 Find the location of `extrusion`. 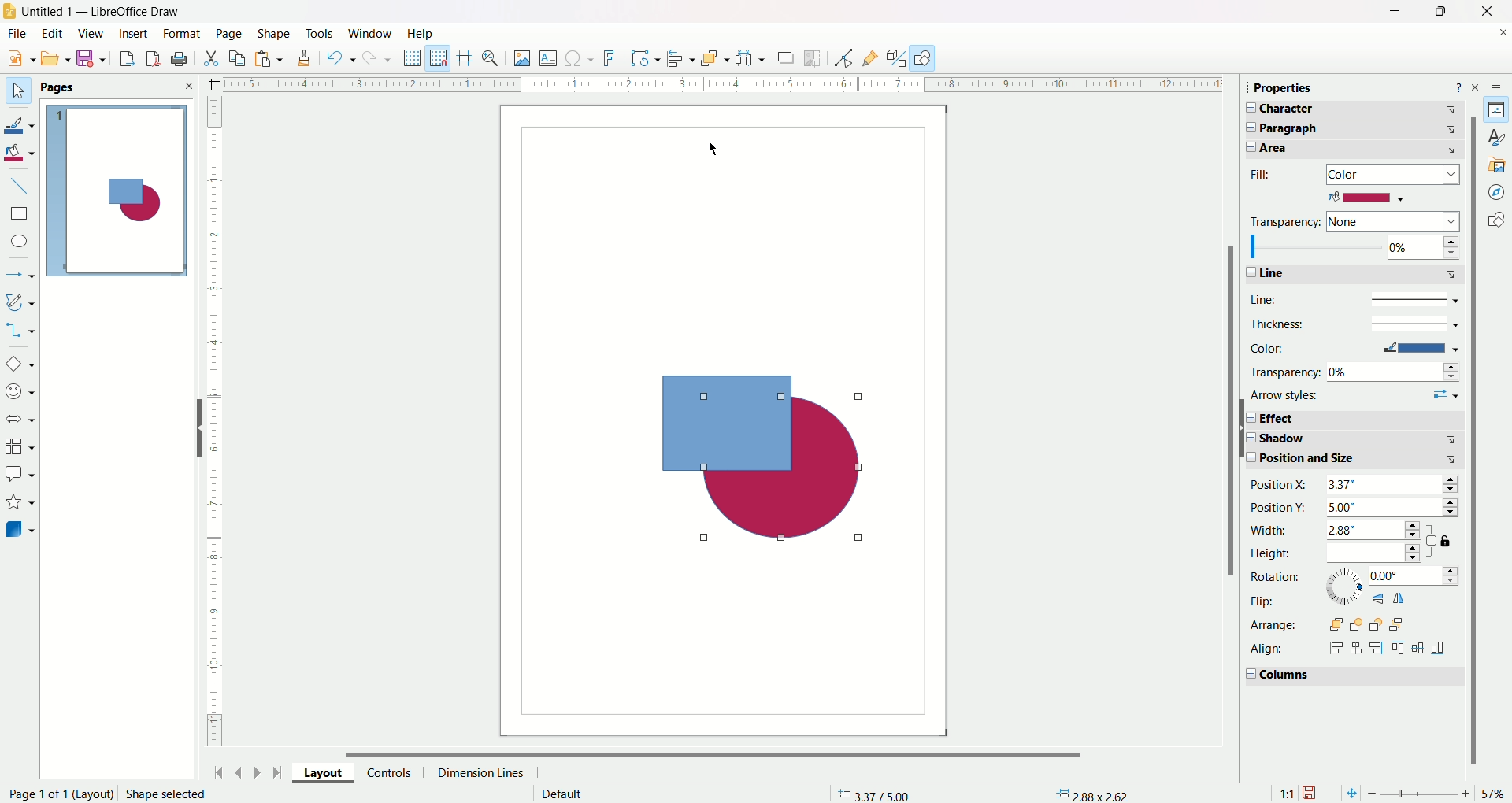

extrusion is located at coordinates (896, 57).